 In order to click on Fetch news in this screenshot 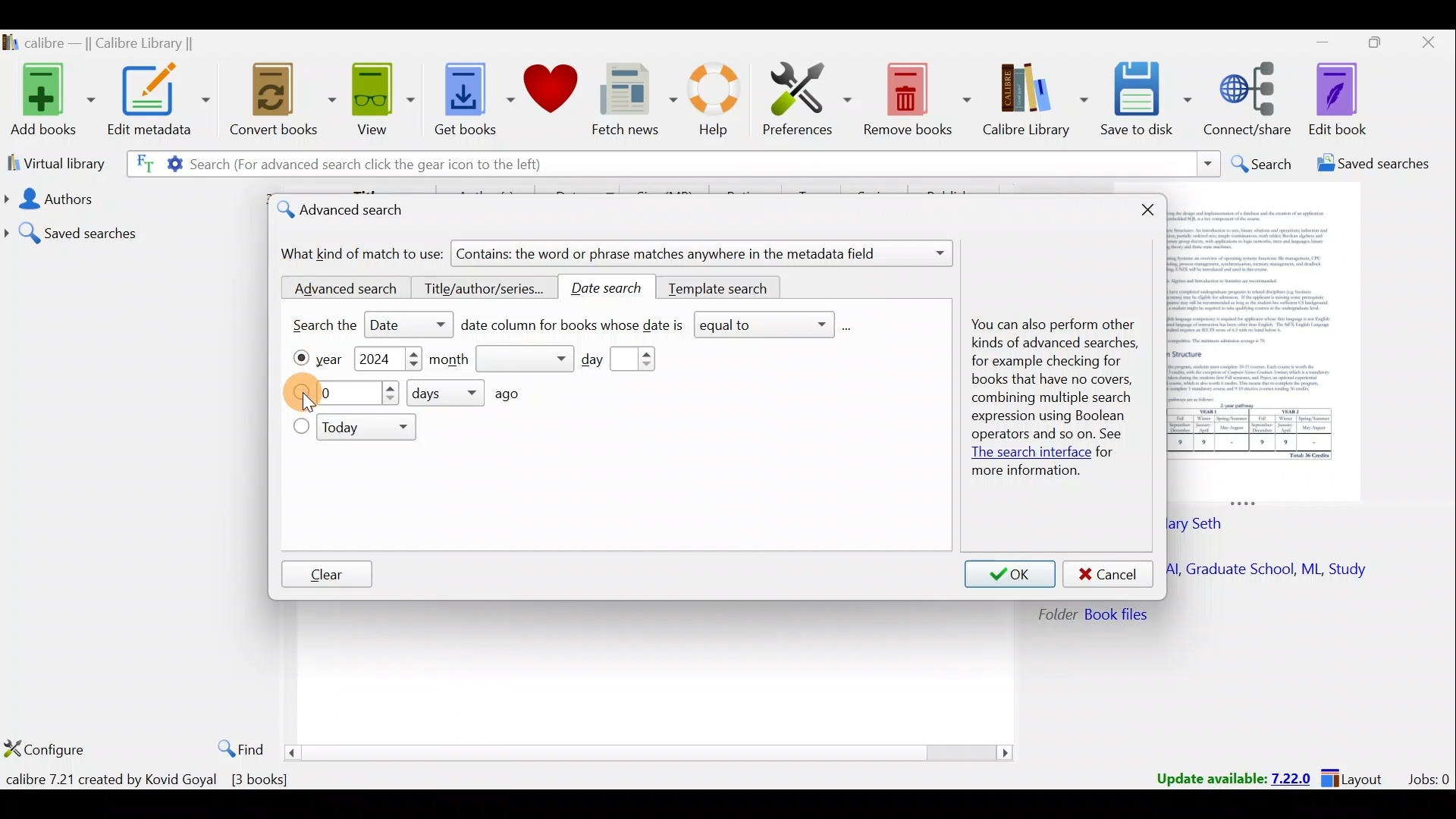, I will do `click(634, 100)`.